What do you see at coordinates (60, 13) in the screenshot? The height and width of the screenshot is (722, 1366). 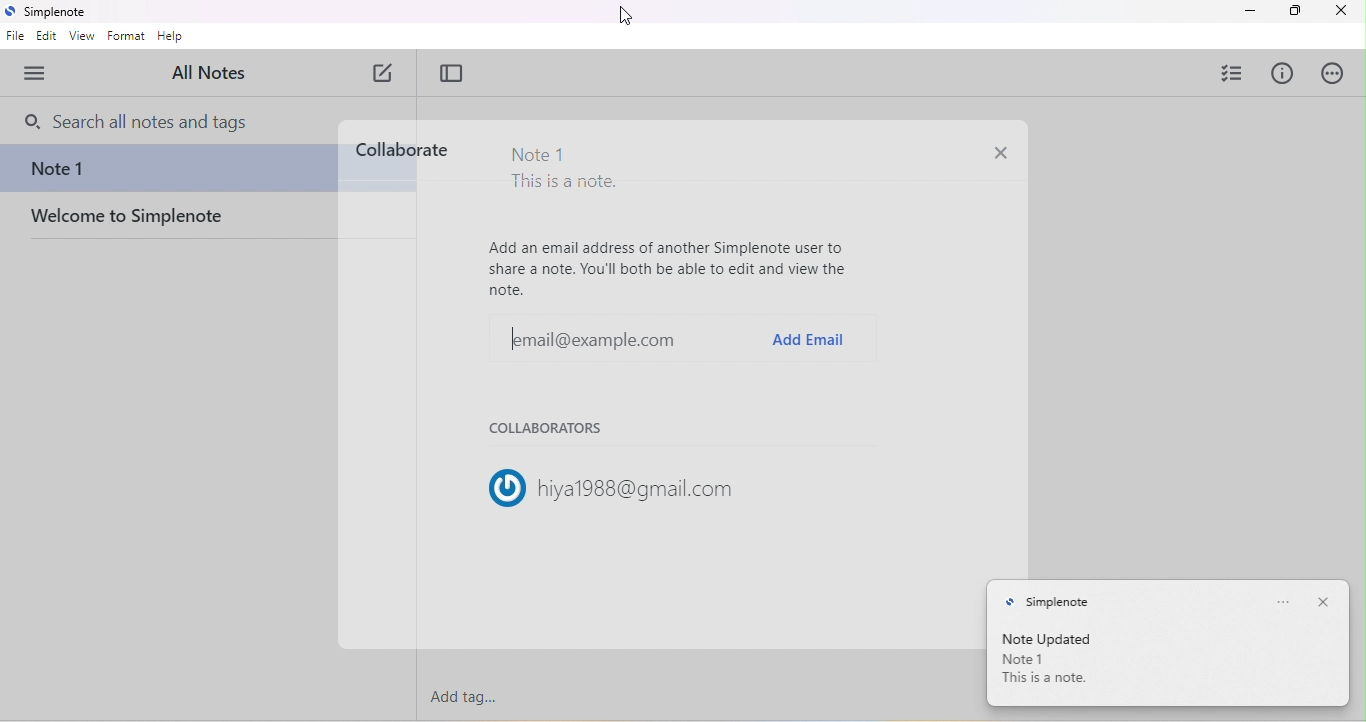 I see `simplenote` at bounding box center [60, 13].